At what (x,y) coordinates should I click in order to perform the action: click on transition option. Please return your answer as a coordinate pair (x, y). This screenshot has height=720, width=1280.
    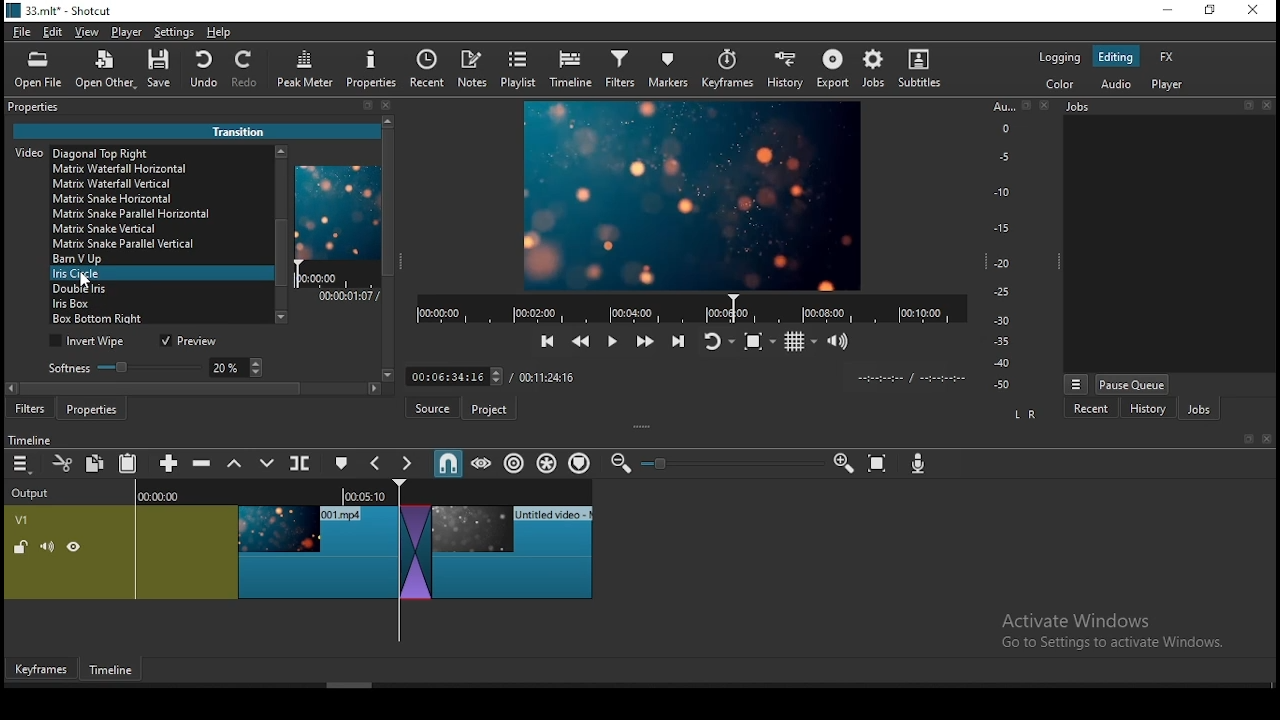
    Looking at the image, I should click on (156, 230).